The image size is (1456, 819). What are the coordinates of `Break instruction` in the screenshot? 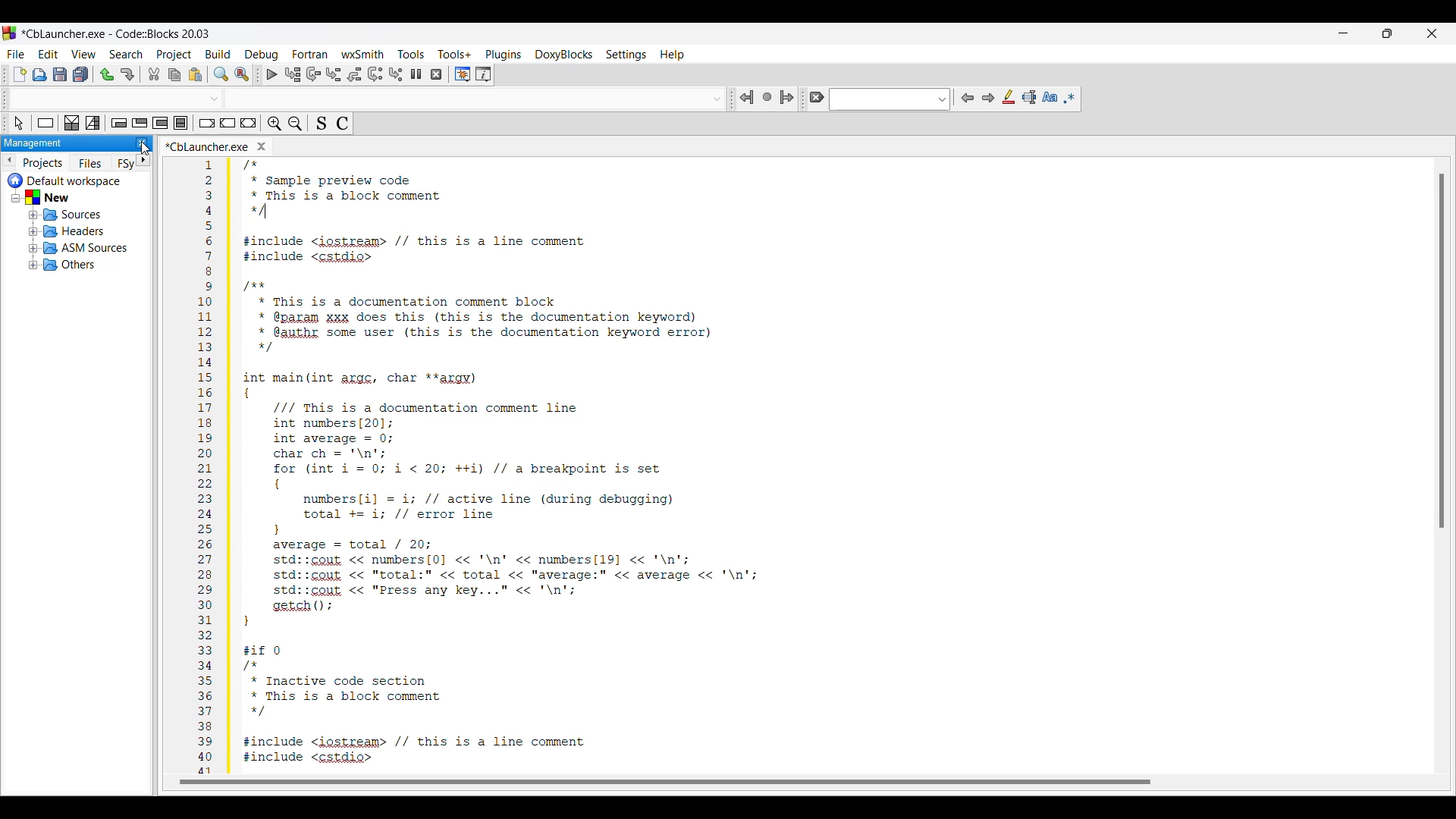 It's located at (208, 123).